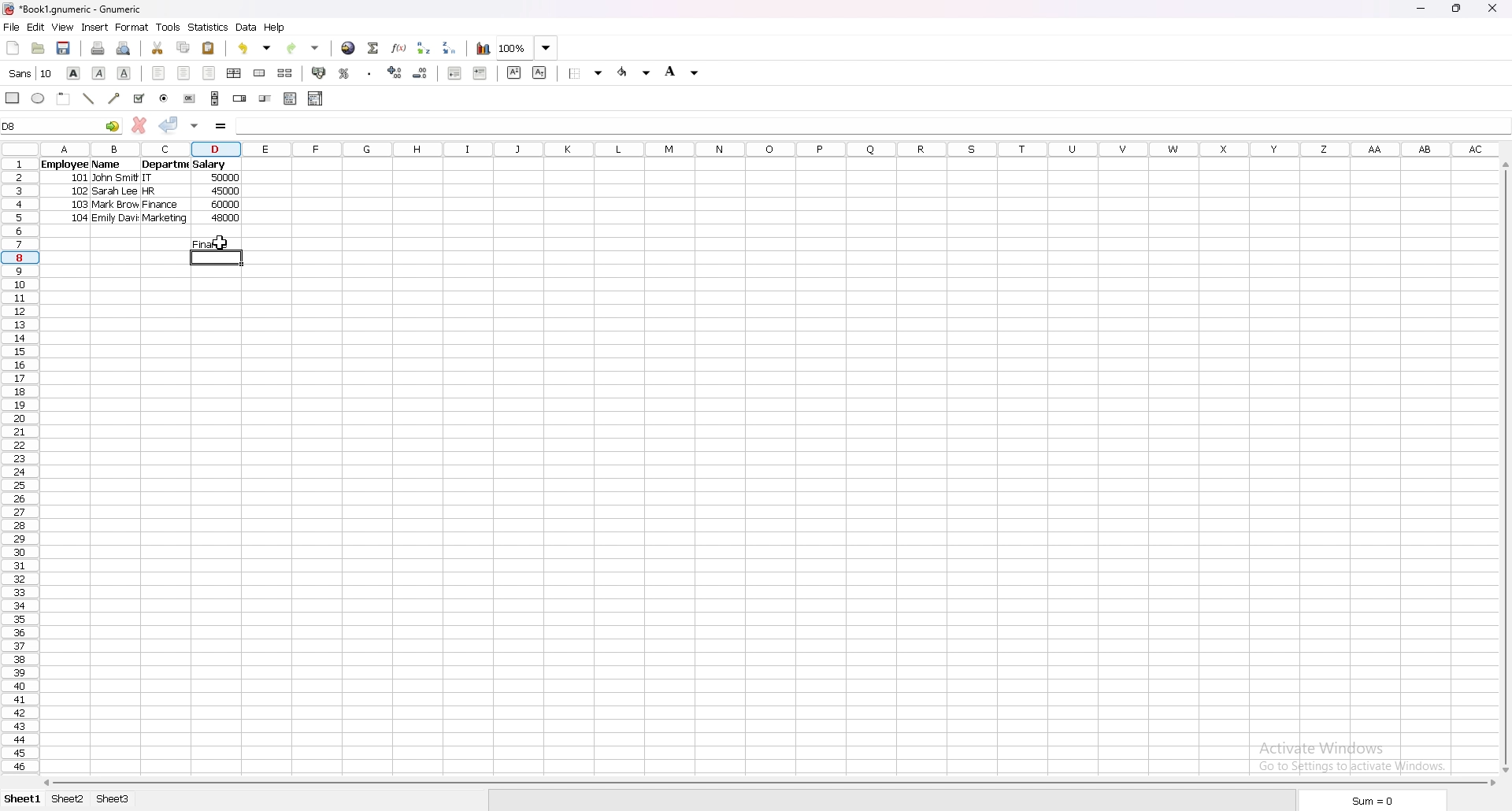 This screenshot has width=1512, height=811. What do you see at coordinates (255, 48) in the screenshot?
I see `undo` at bounding box center [255, 48].